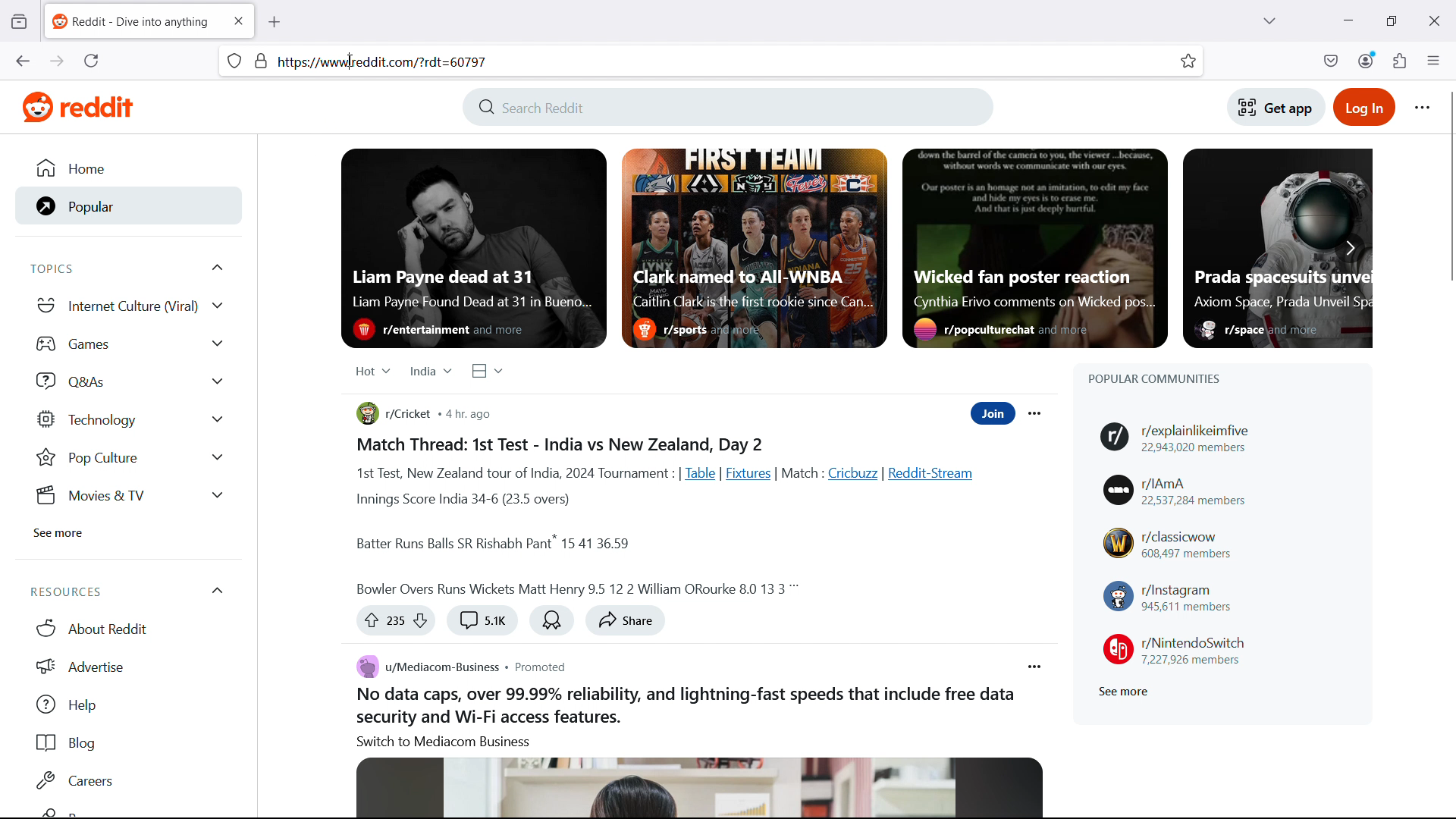  I want to click on r/classicwow, so click(1169, 544).